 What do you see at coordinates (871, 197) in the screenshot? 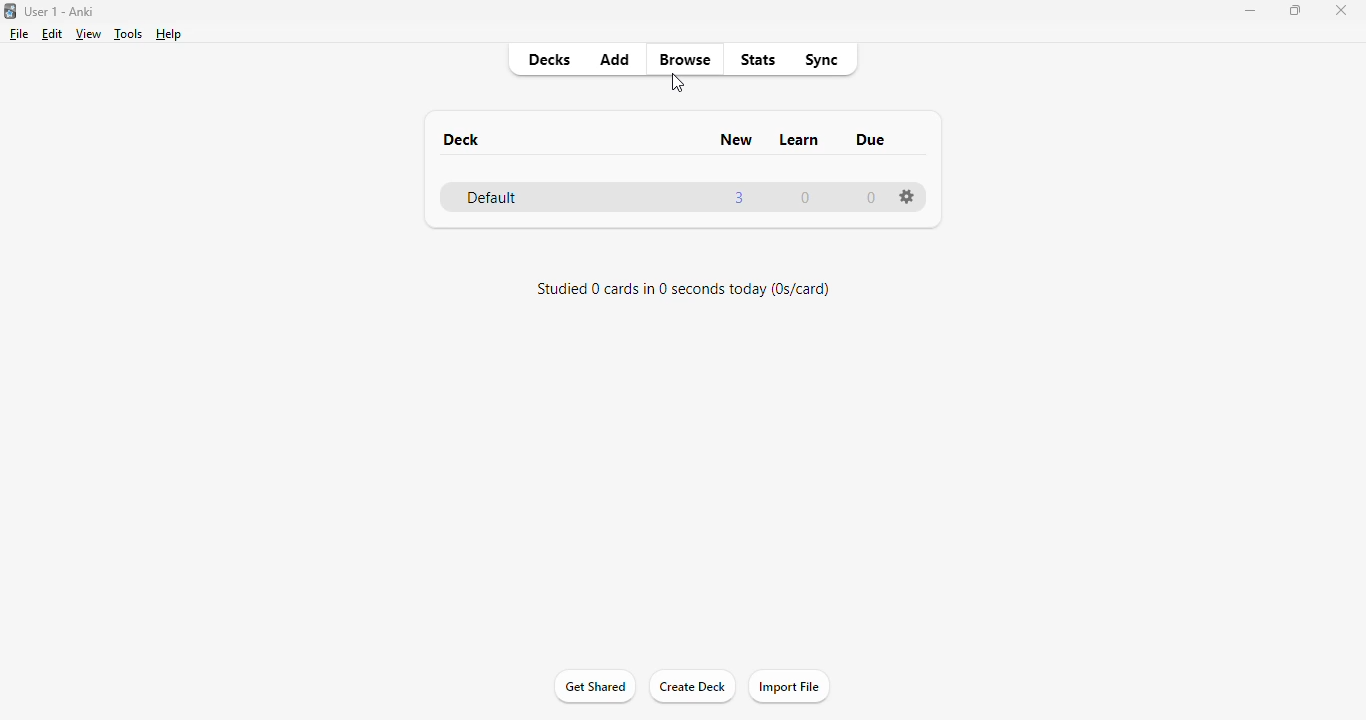
I see `0` at bounding box center [871, 197].